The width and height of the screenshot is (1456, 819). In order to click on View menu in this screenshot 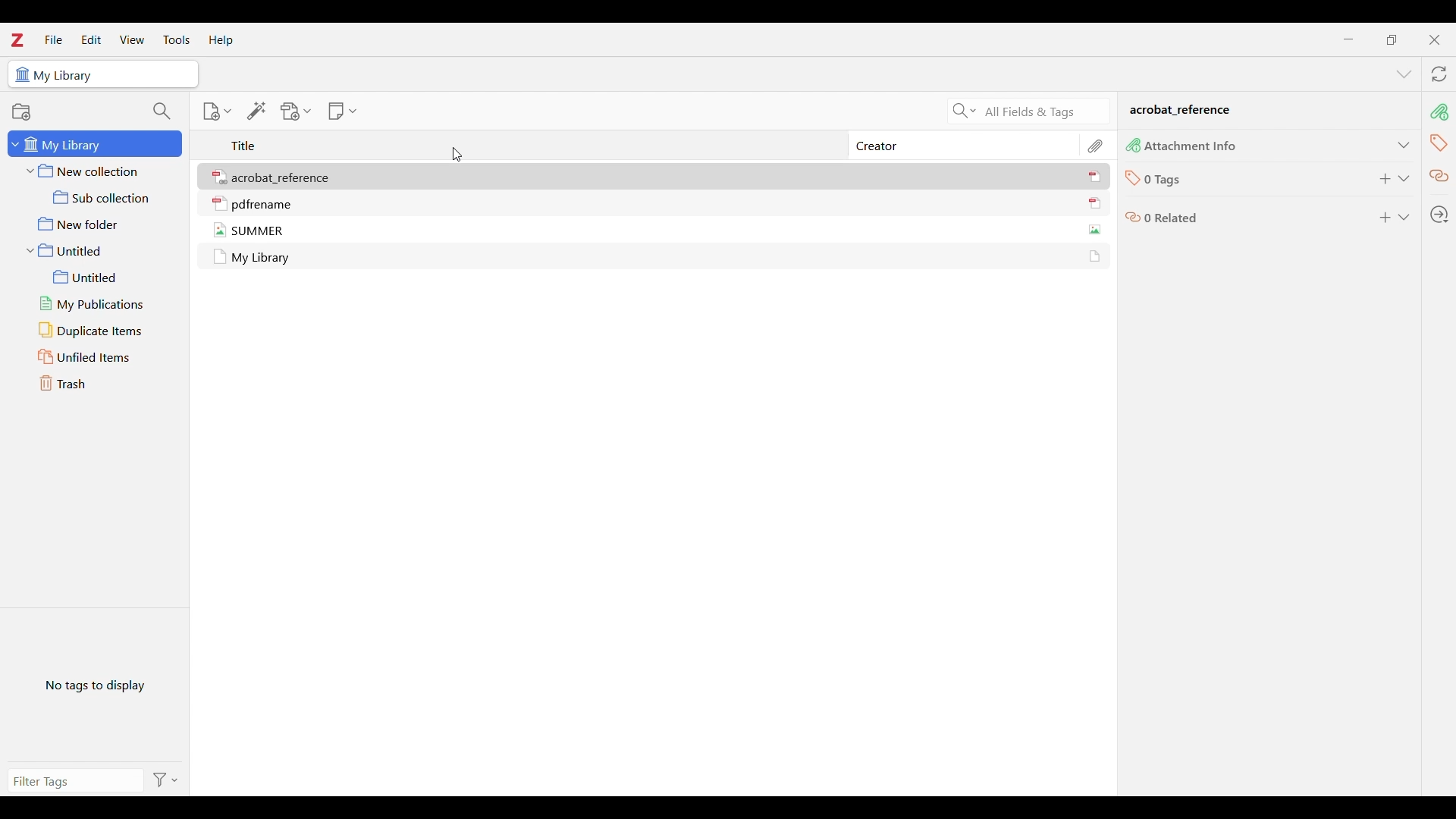, I will do `click(132, 39)`.